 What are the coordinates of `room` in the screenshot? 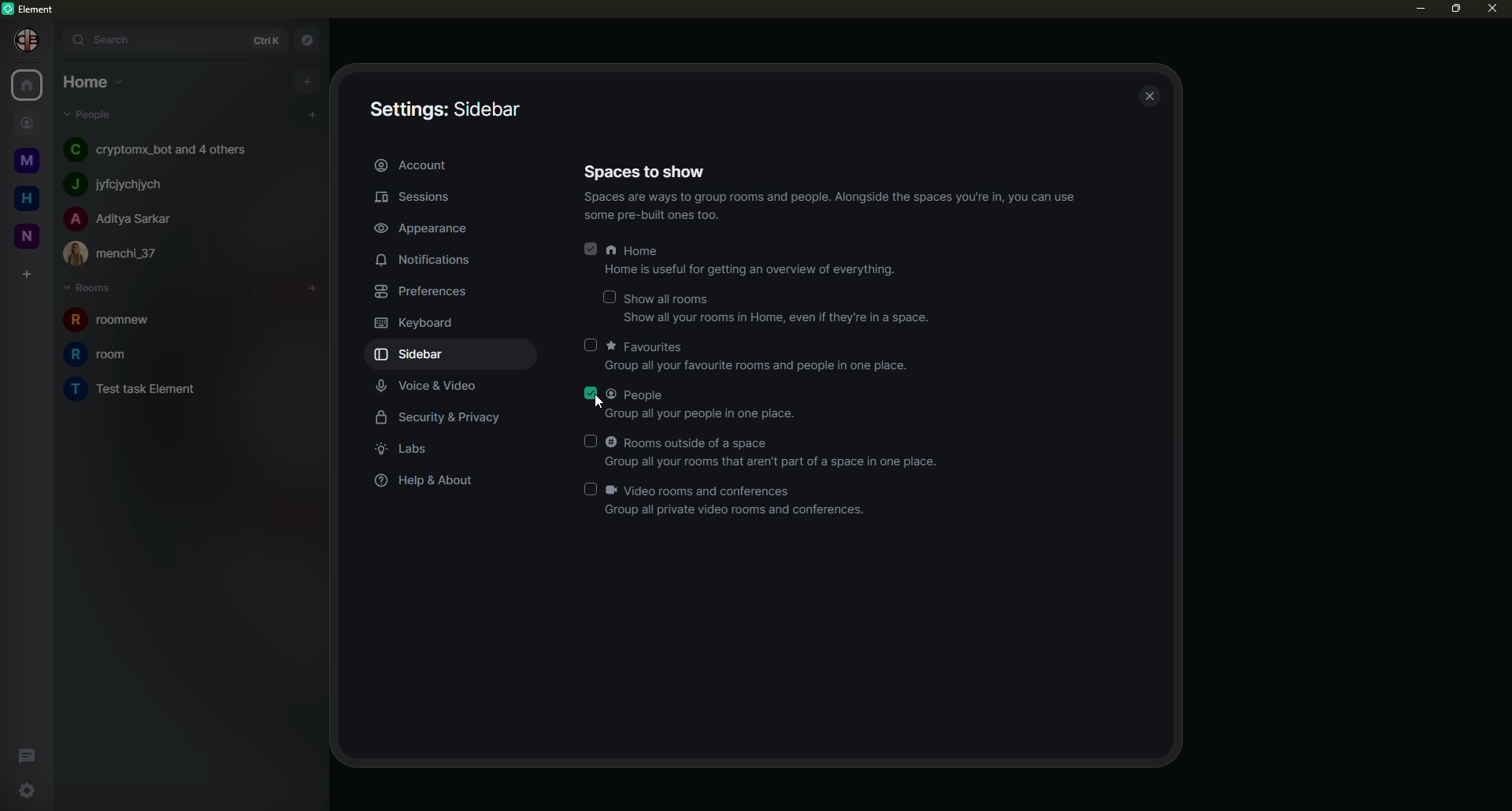 It's located at (121, 321).